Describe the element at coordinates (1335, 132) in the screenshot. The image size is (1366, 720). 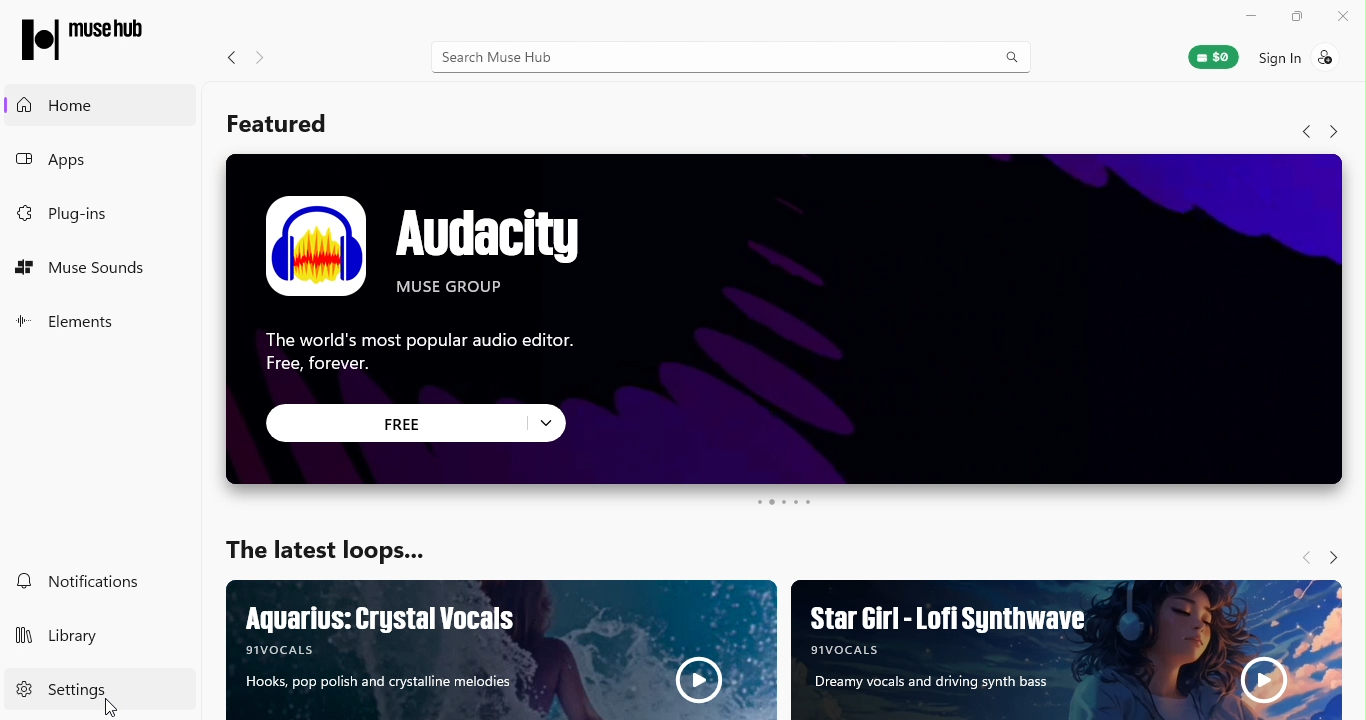
I see `Navigate forward` at that location.